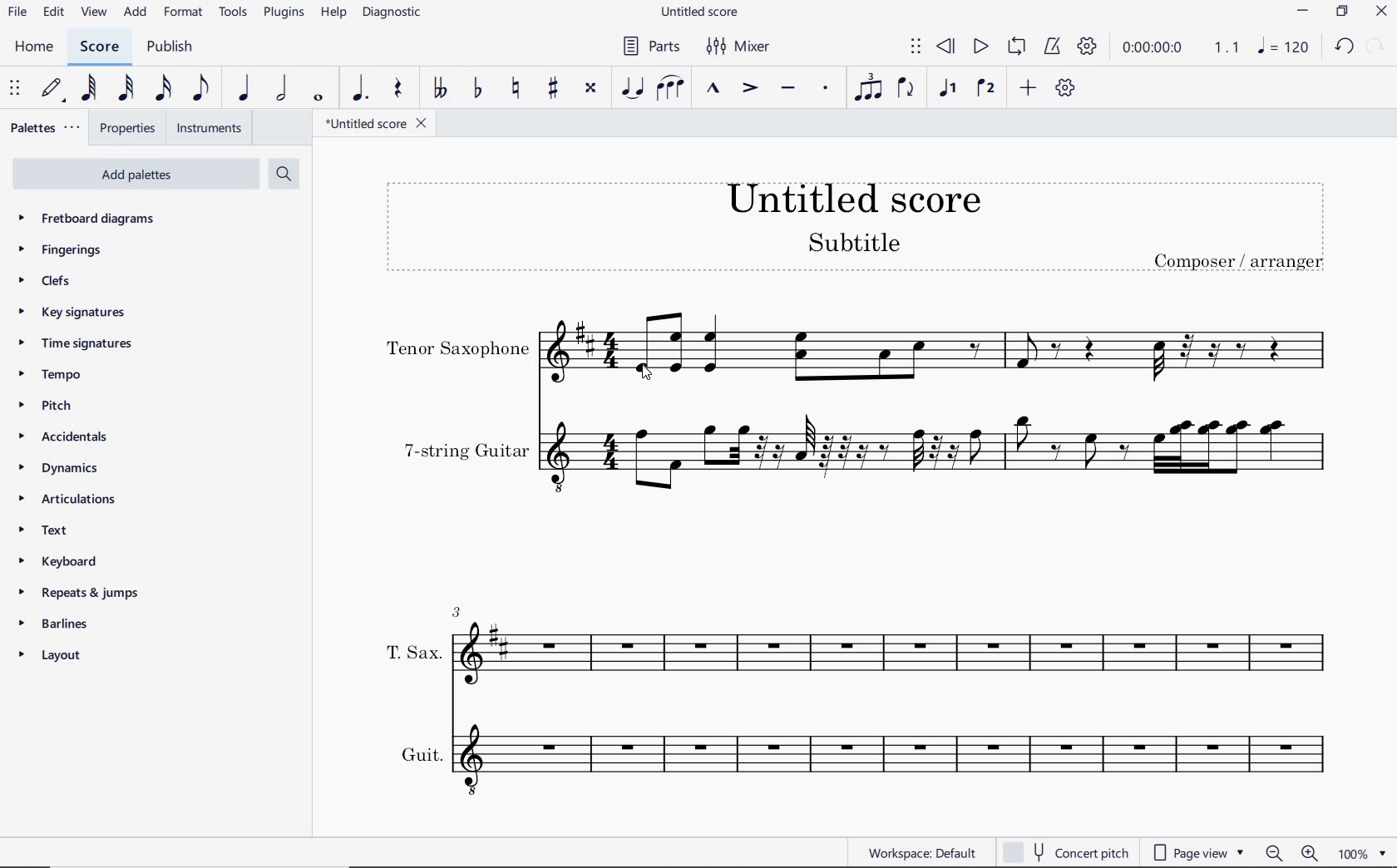  I want to click on INSTRUMENT: GUIT, so click(855, 757).